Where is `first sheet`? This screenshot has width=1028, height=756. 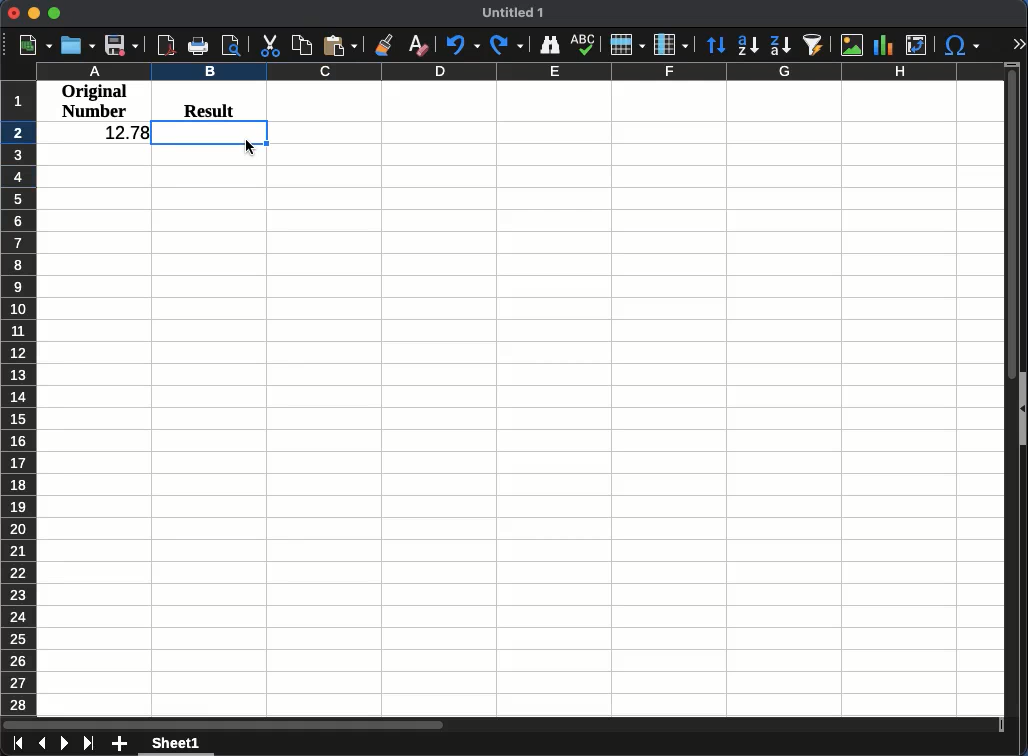 first sheet is located at coordinates (15, 745).